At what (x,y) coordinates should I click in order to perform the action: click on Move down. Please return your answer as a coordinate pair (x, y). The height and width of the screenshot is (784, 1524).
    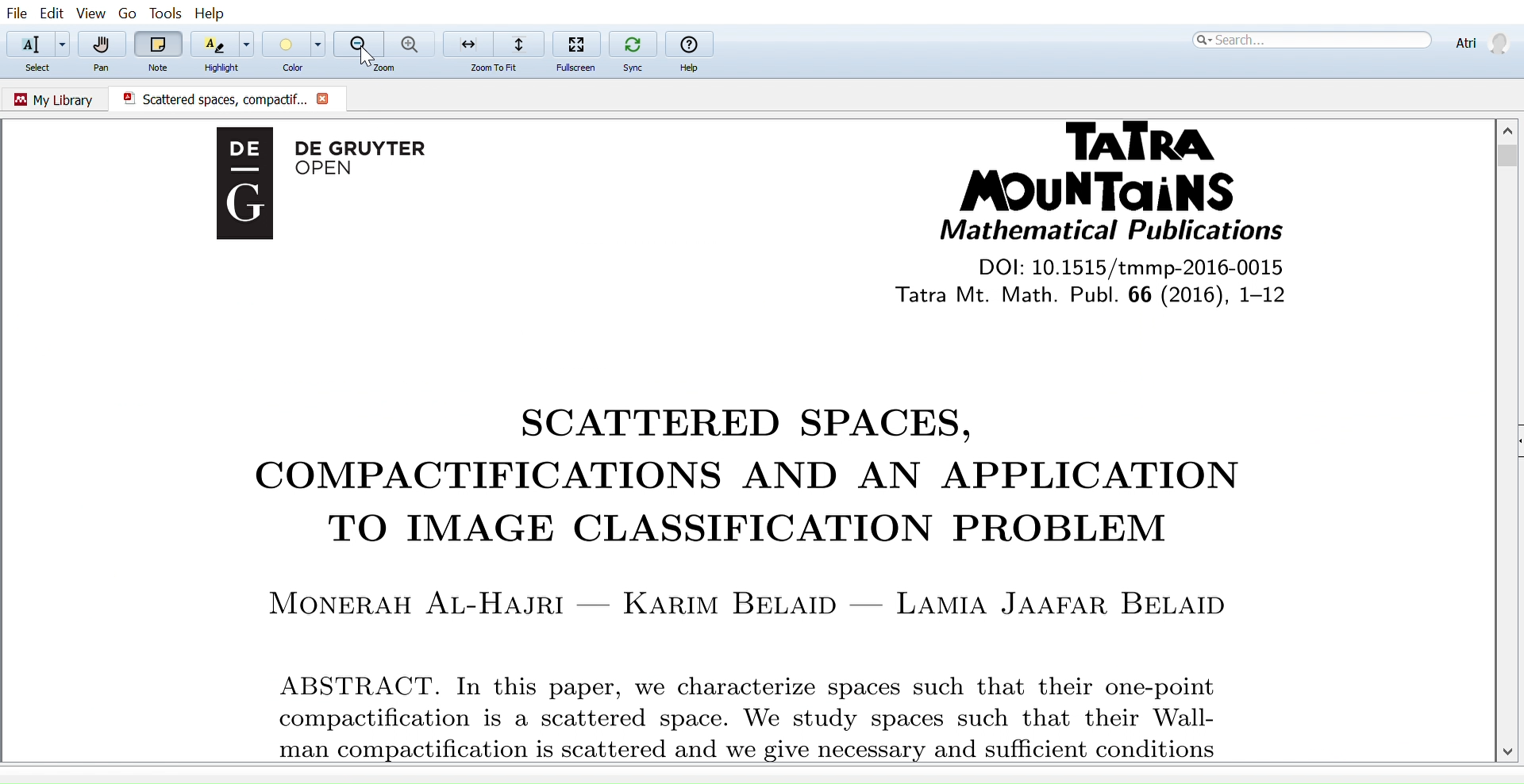
    Looking at the image, I should click on (1510, 751).